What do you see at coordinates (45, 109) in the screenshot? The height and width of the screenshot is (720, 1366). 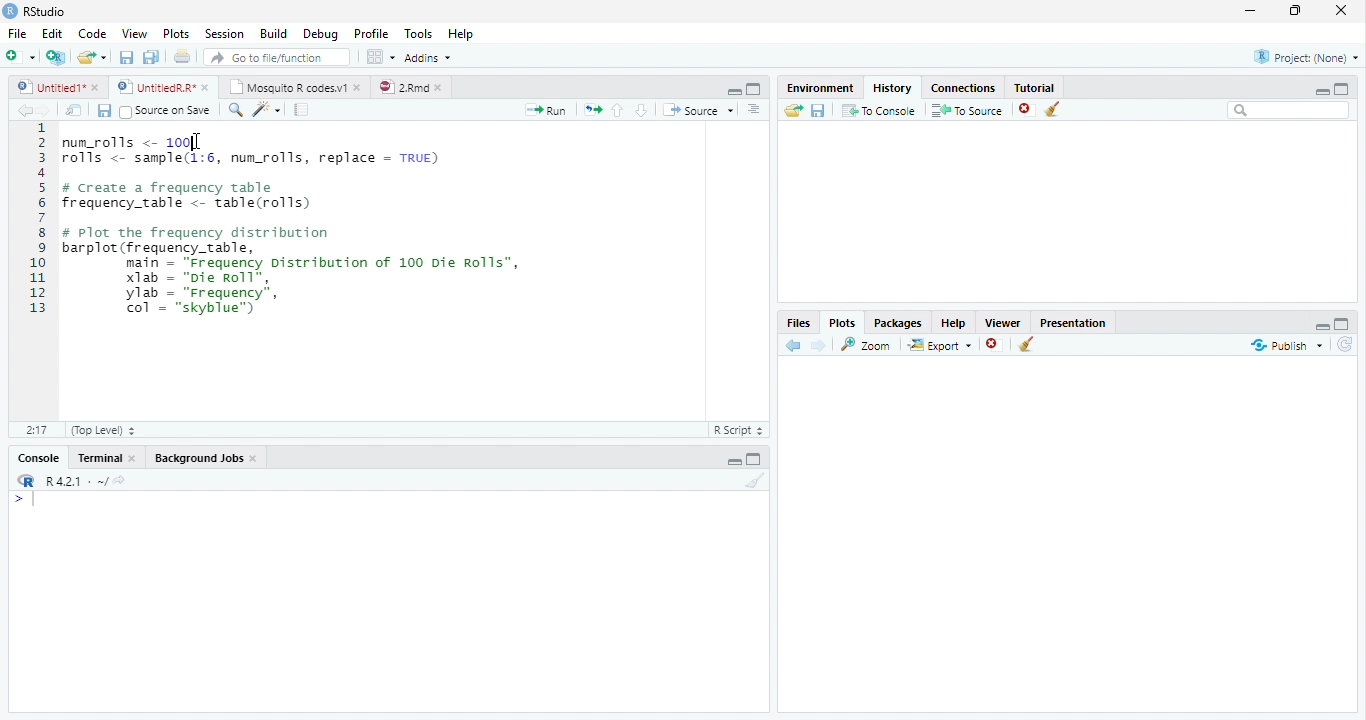 I see `Next Source Location` at bounding box center [45, 109].